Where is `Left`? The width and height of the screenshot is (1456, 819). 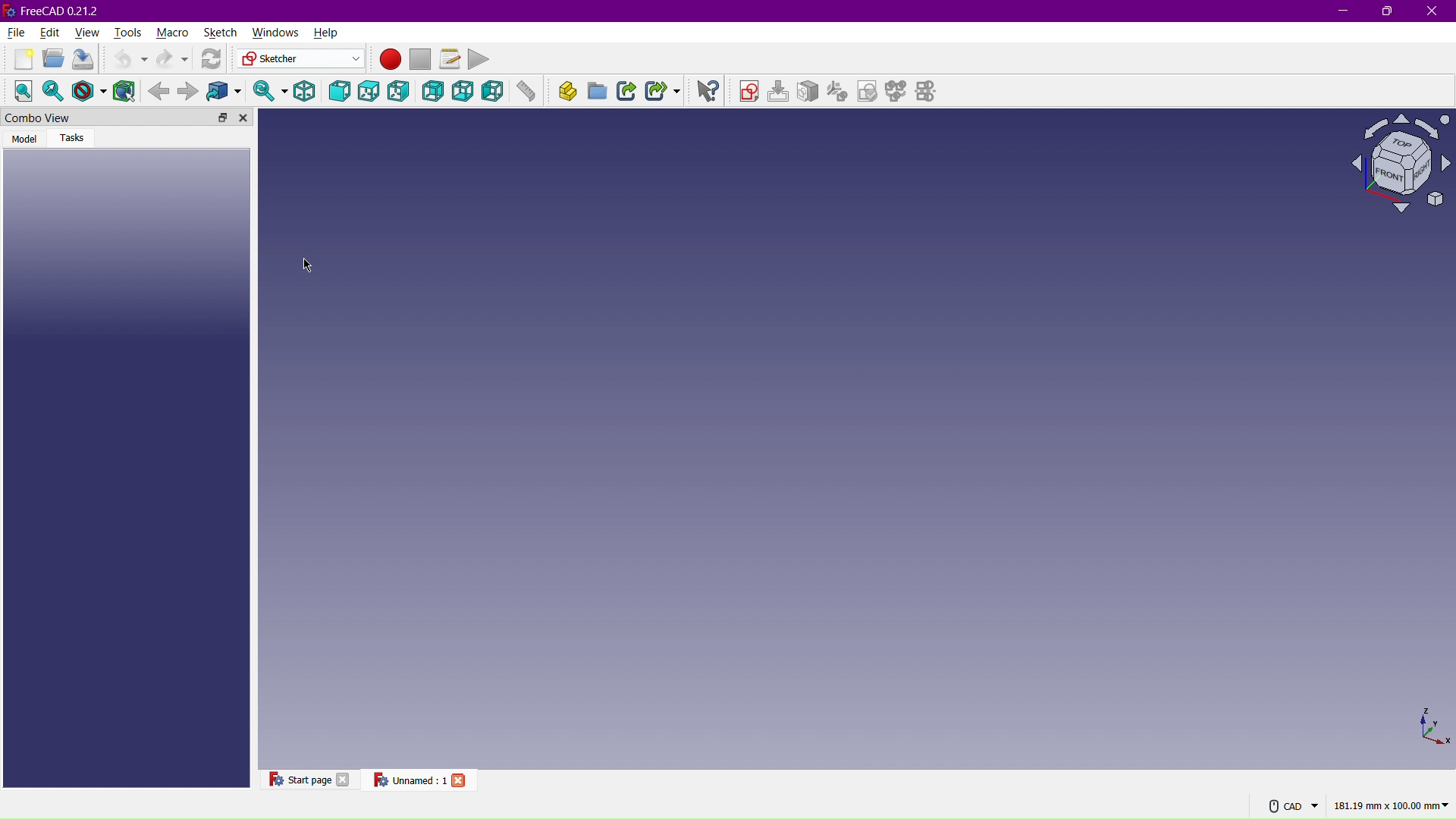 Left is located at coordinates (495, 89).